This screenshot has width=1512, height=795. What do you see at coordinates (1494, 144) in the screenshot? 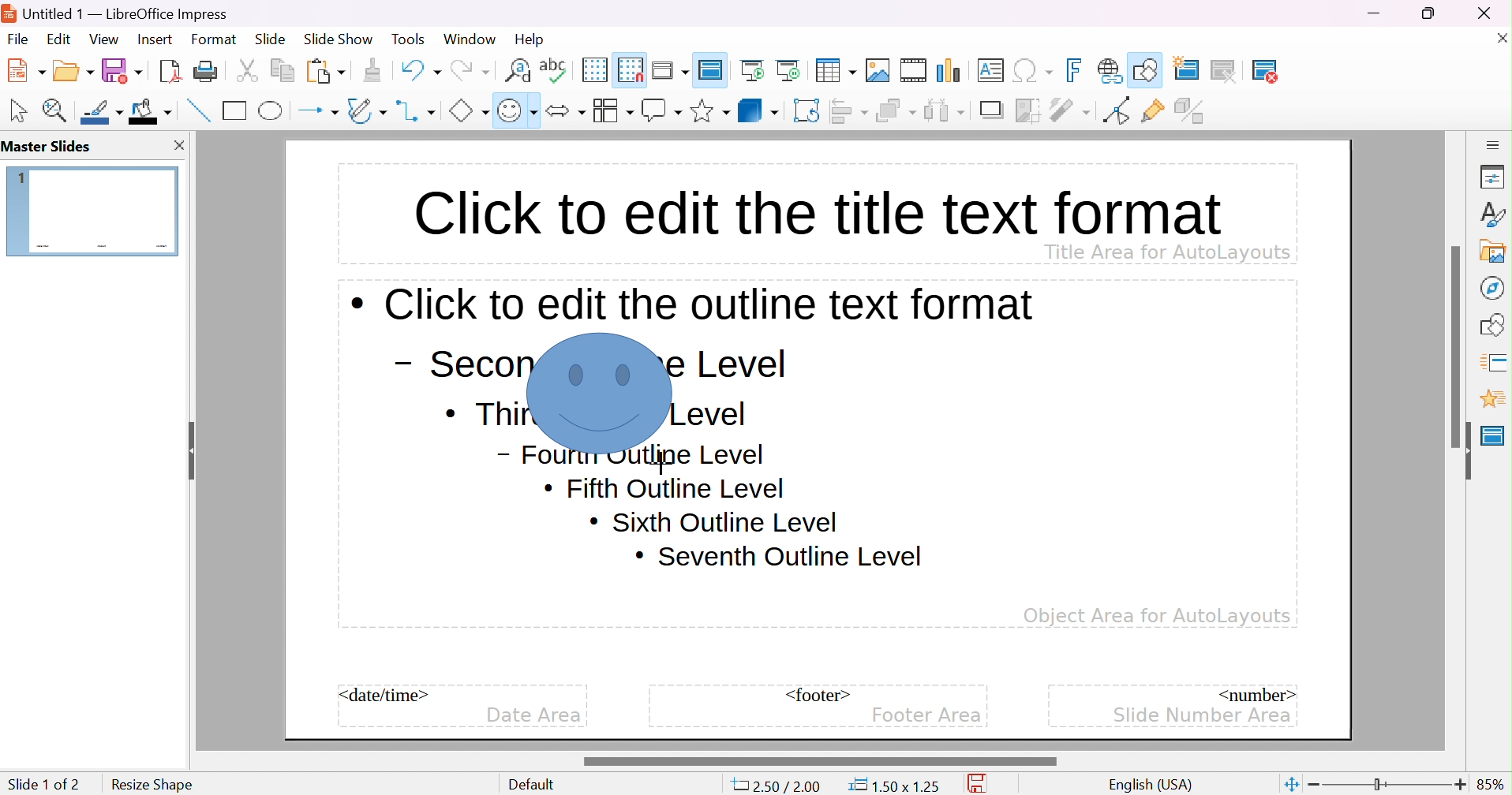
I see `sidebar settings` at bounding box center [1494, 144].